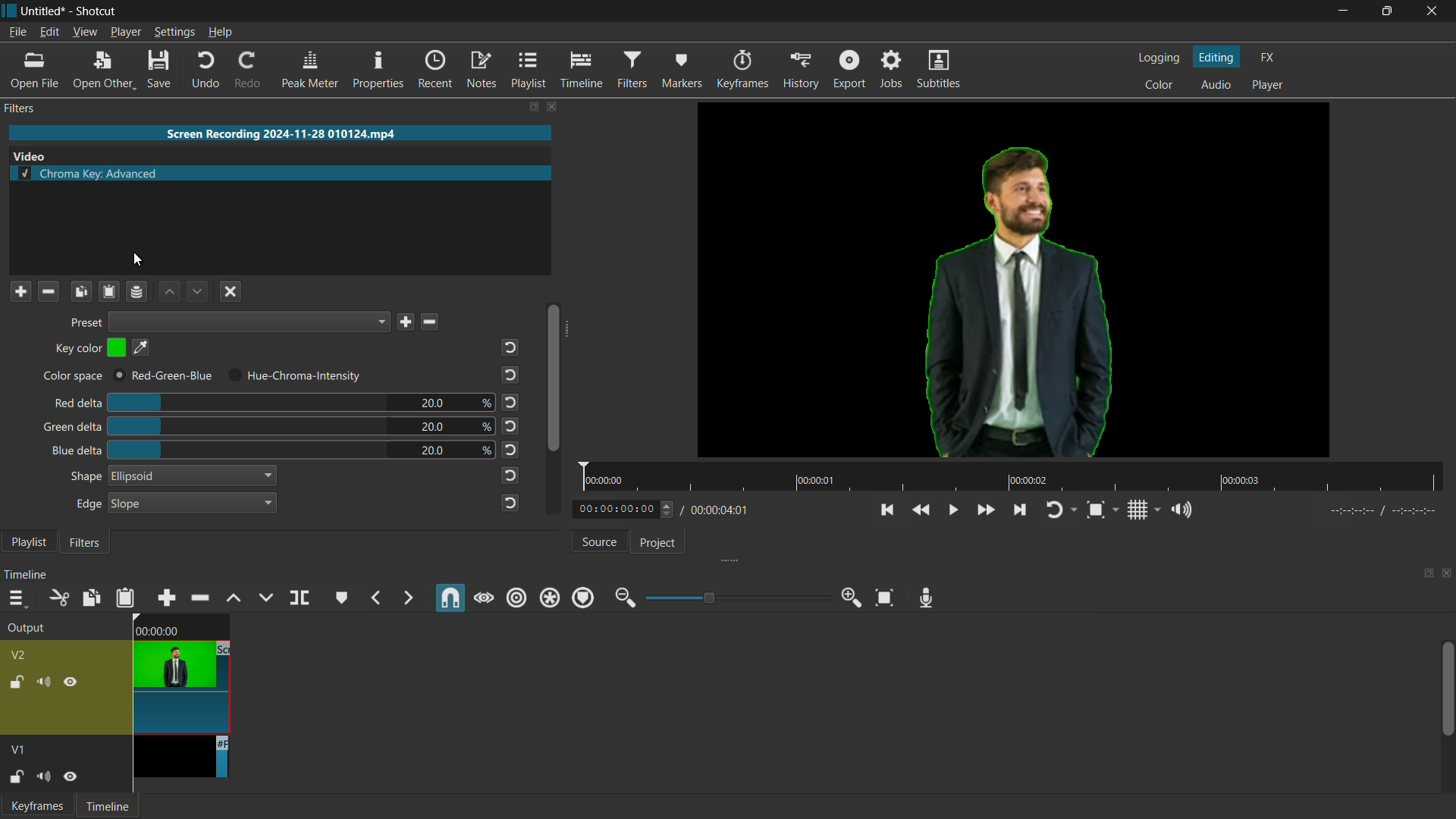 This screenshot has height=819, width=1456. I want to click on down, so click(199, 290).